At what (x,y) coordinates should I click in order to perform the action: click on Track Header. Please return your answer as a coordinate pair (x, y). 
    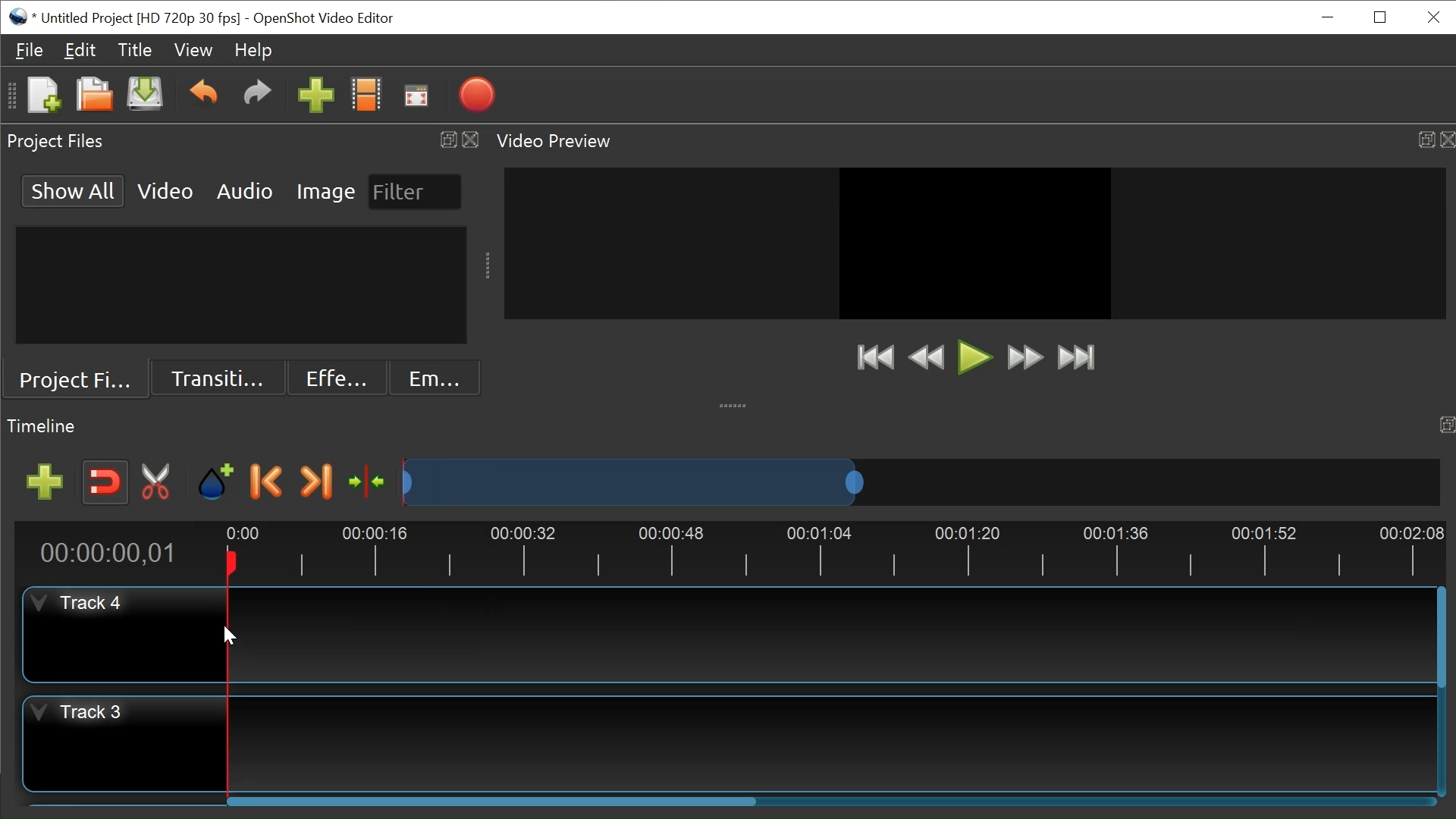
    Looking at the image, I should click on (122, 634).